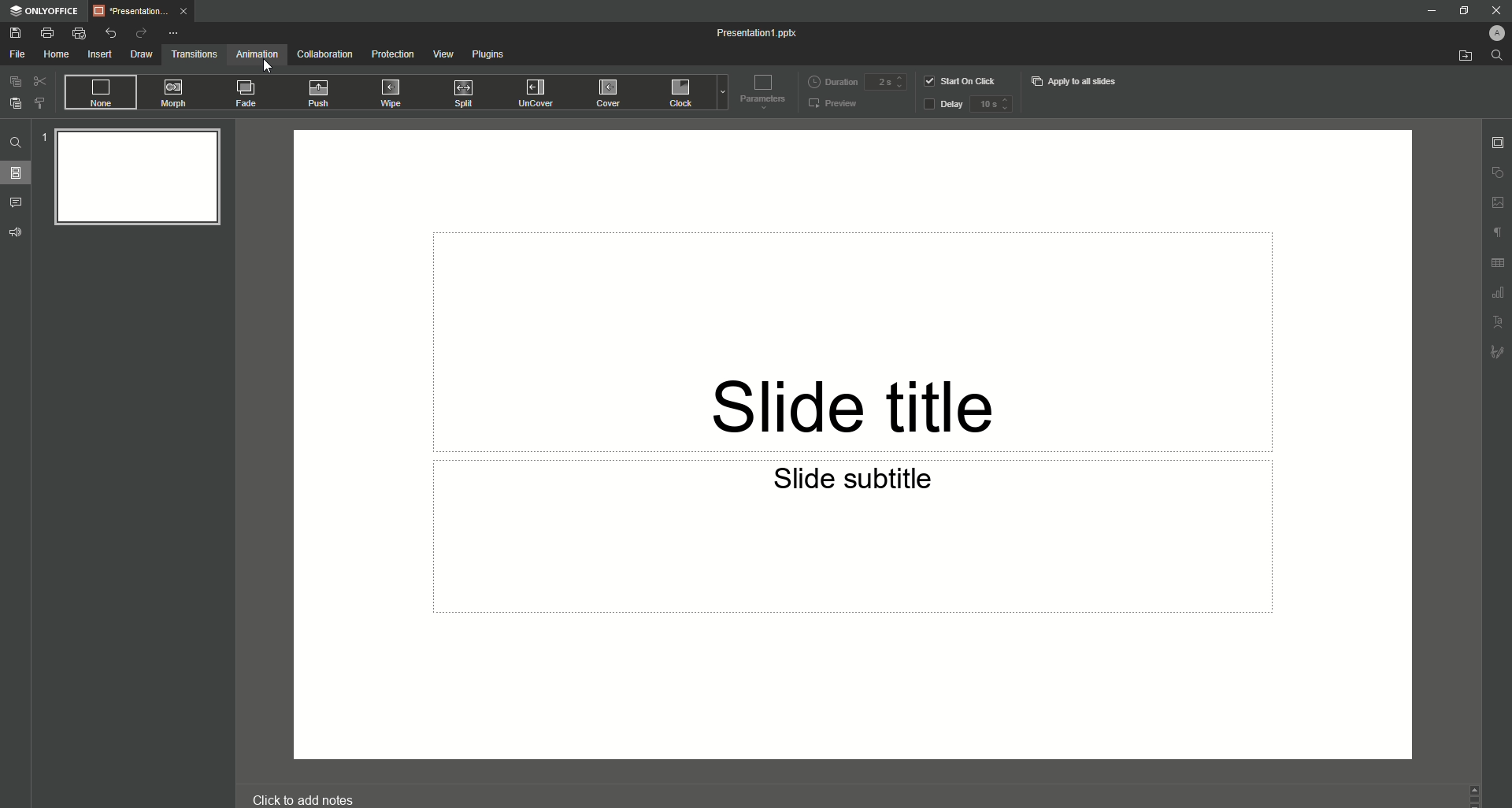  I want to click on Protection, so click(390, 55).